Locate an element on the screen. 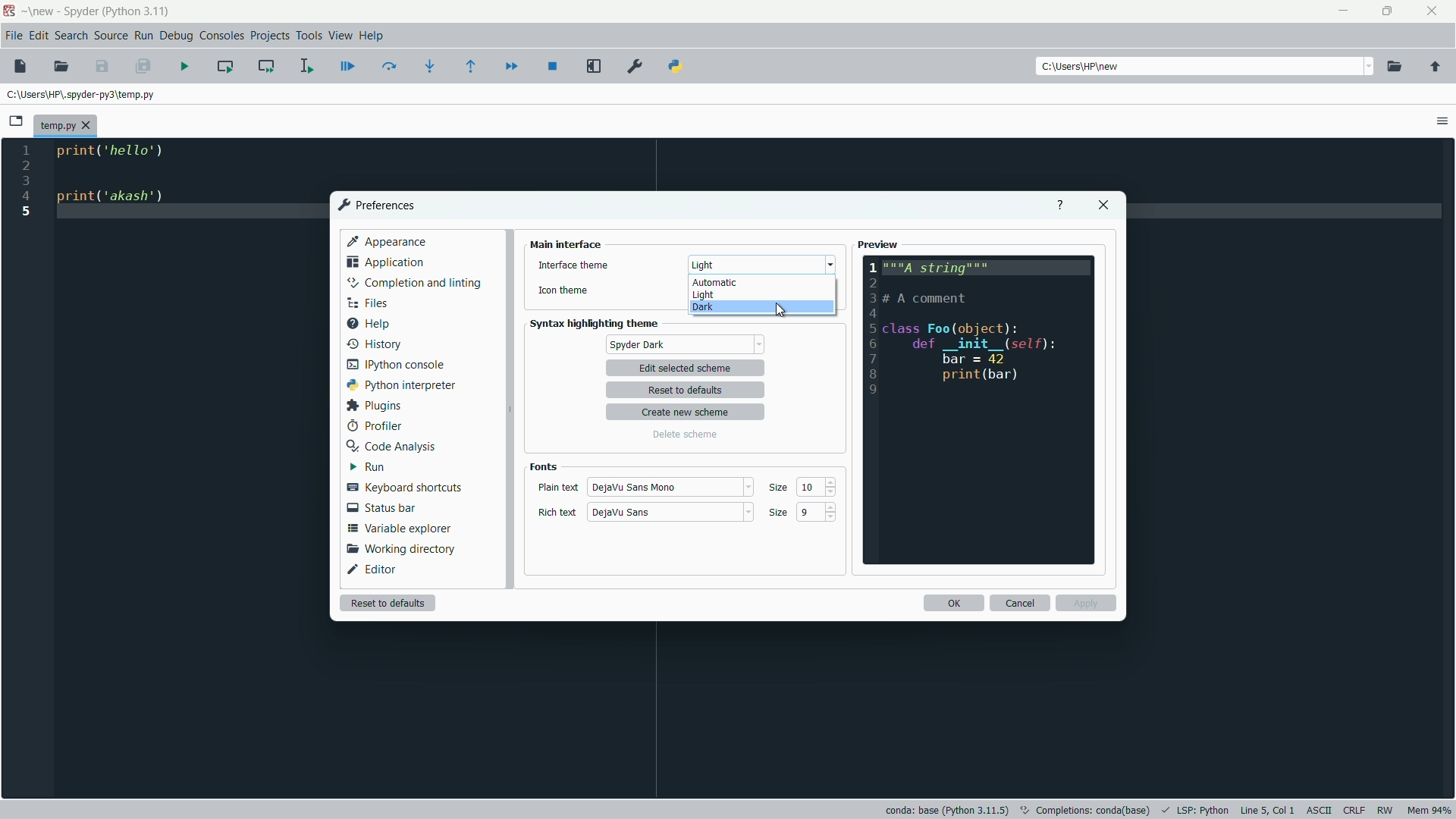 This screenshot has height=819, width=1456. edit selected scheme is located at coordinates (685, 369).